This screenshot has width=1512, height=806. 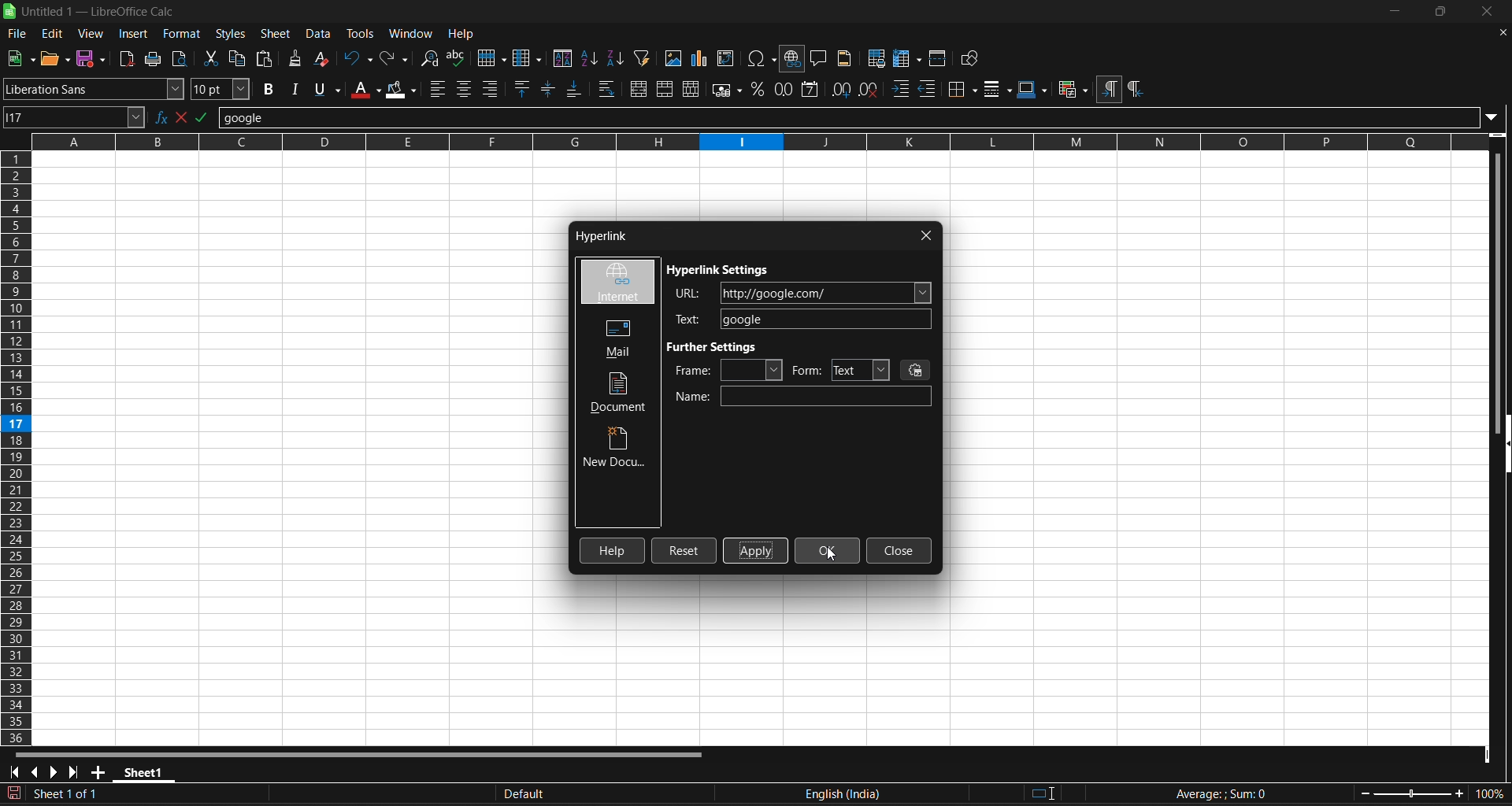 What do you see at coordinates (755, 551) in the screenshot?
I see `click apply` at bounding box center [755, 551].